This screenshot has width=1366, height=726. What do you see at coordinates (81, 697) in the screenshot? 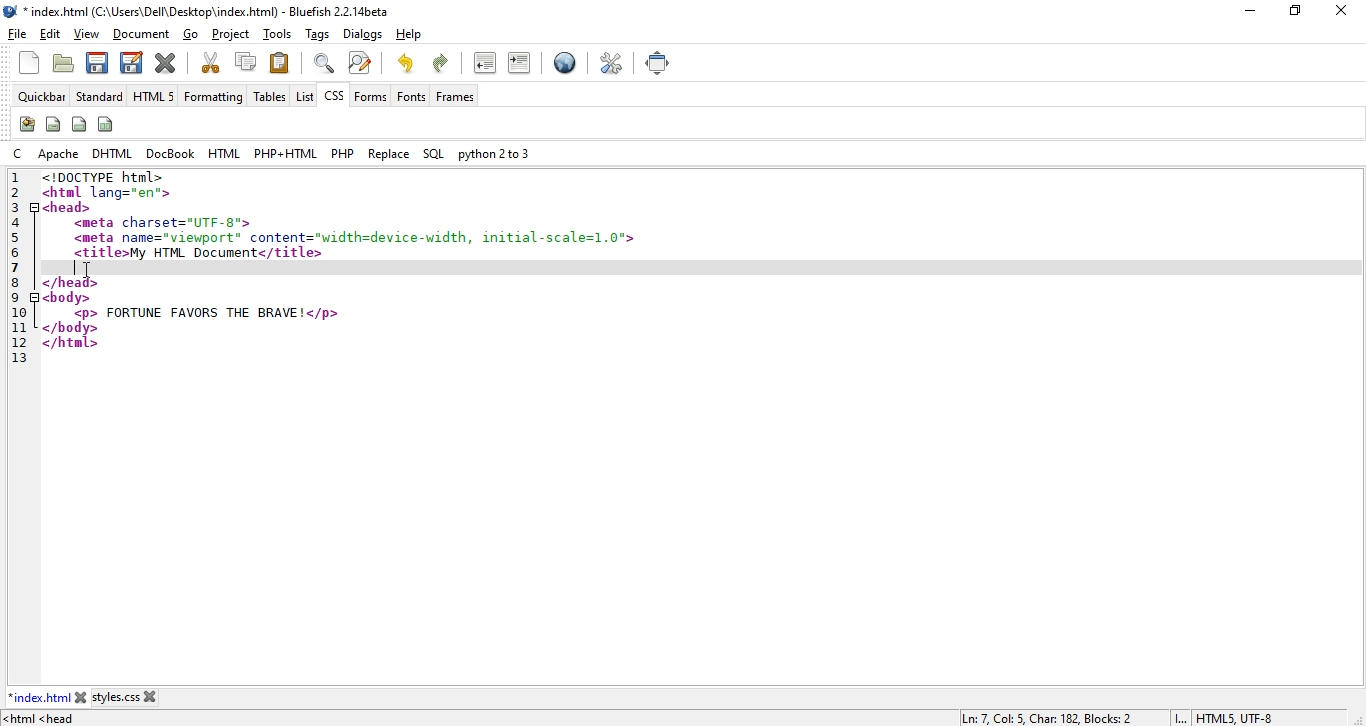
I see `close` at bounding box center [81, 697].